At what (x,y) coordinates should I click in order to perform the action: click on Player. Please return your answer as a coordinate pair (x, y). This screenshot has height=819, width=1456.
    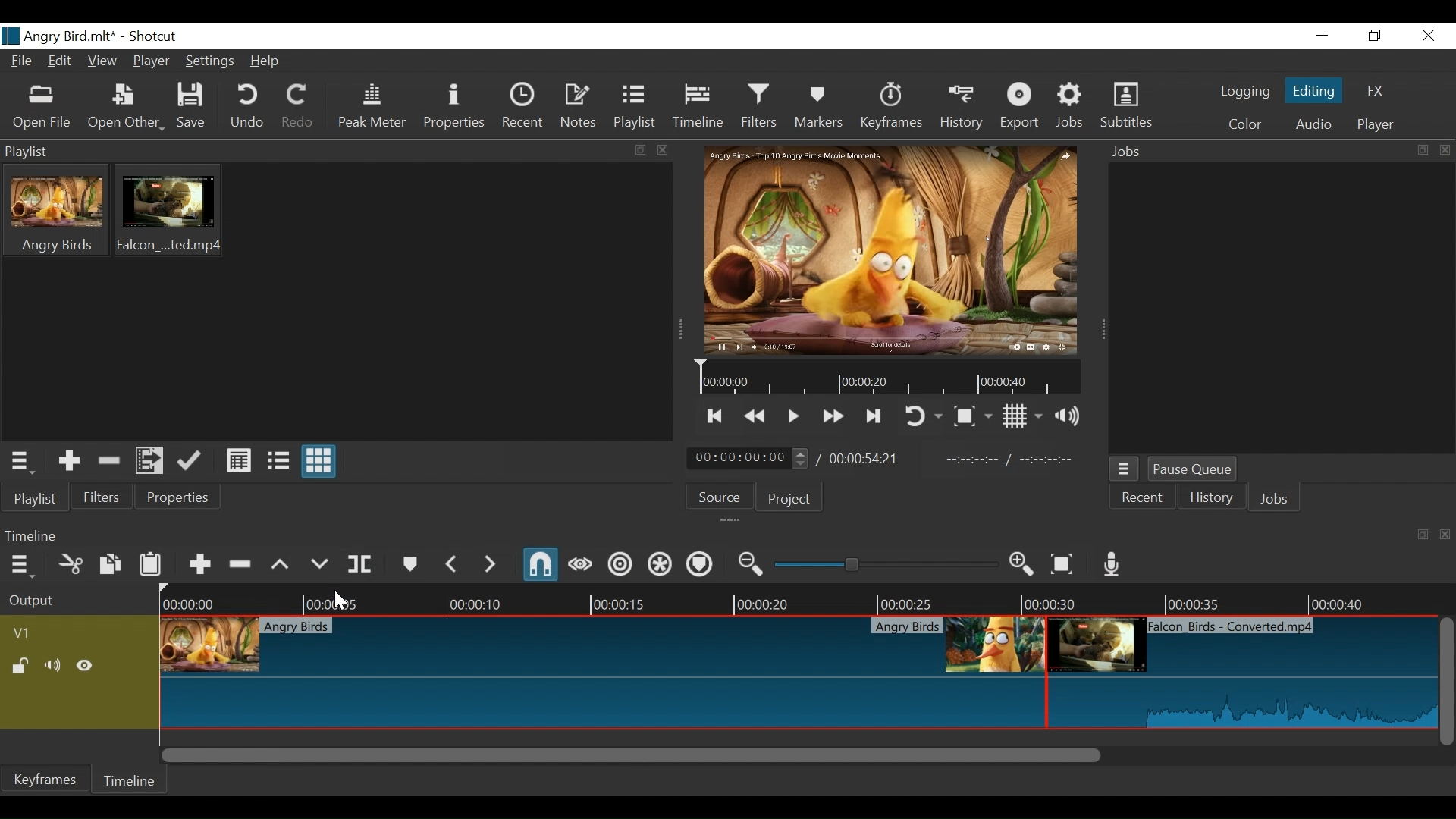
    Looking at the image, I should click on (152, 62).